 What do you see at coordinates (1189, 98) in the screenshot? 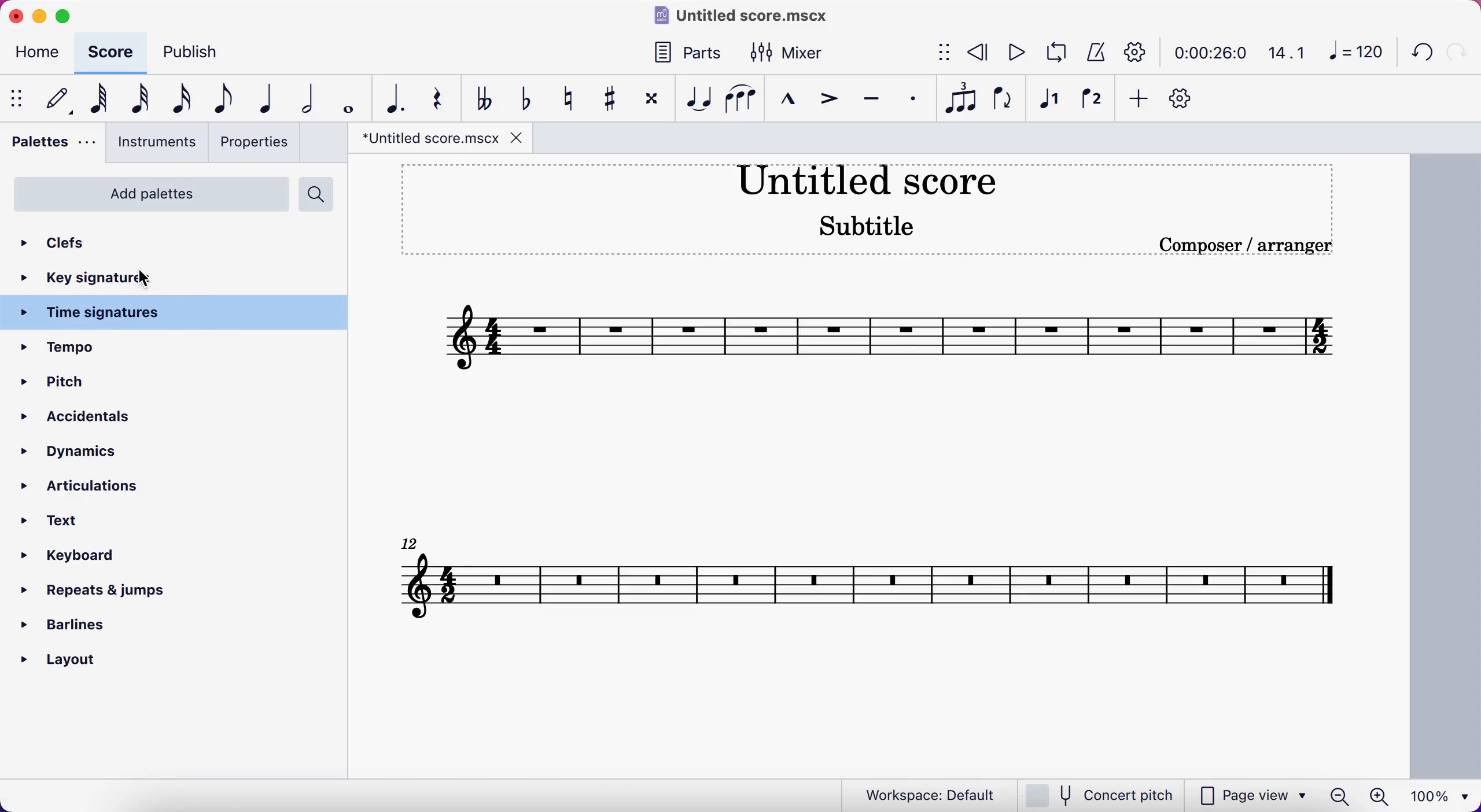
I see `customize toolbar` at bounding box center [1189, 98].